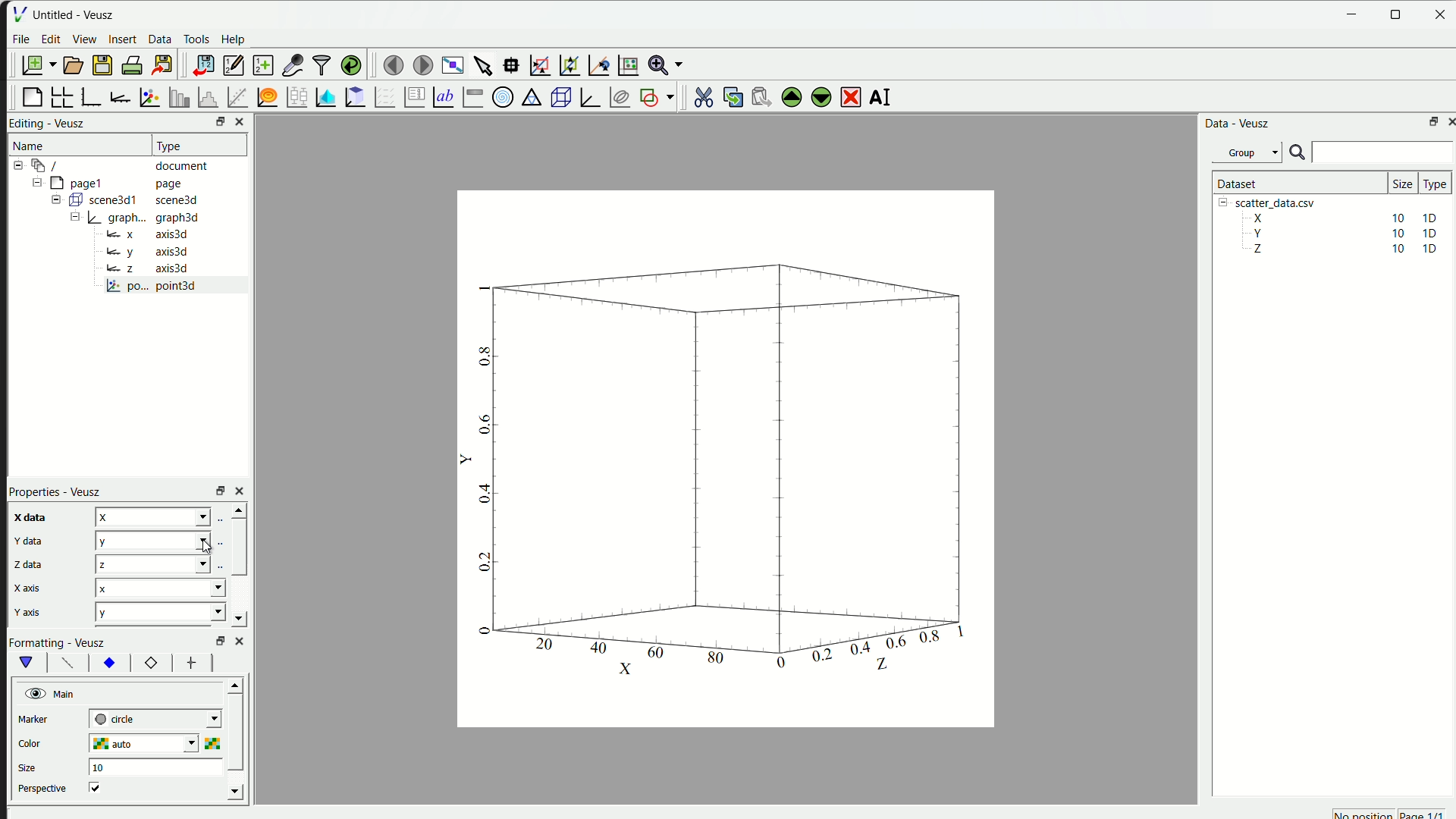  I want to click on size, so click(31, 765).